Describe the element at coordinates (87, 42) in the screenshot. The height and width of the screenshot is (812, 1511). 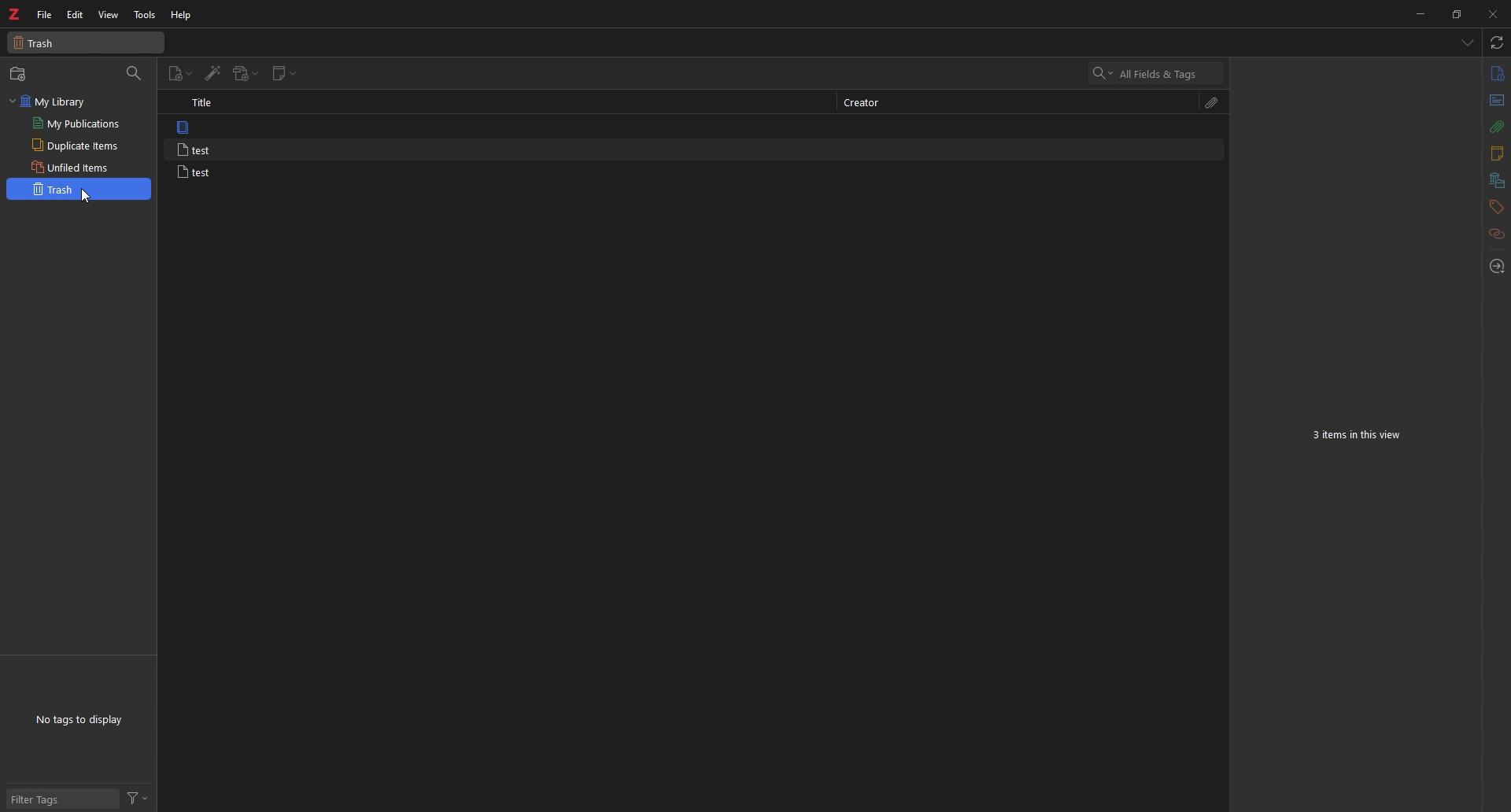
I see `my library` at that location.